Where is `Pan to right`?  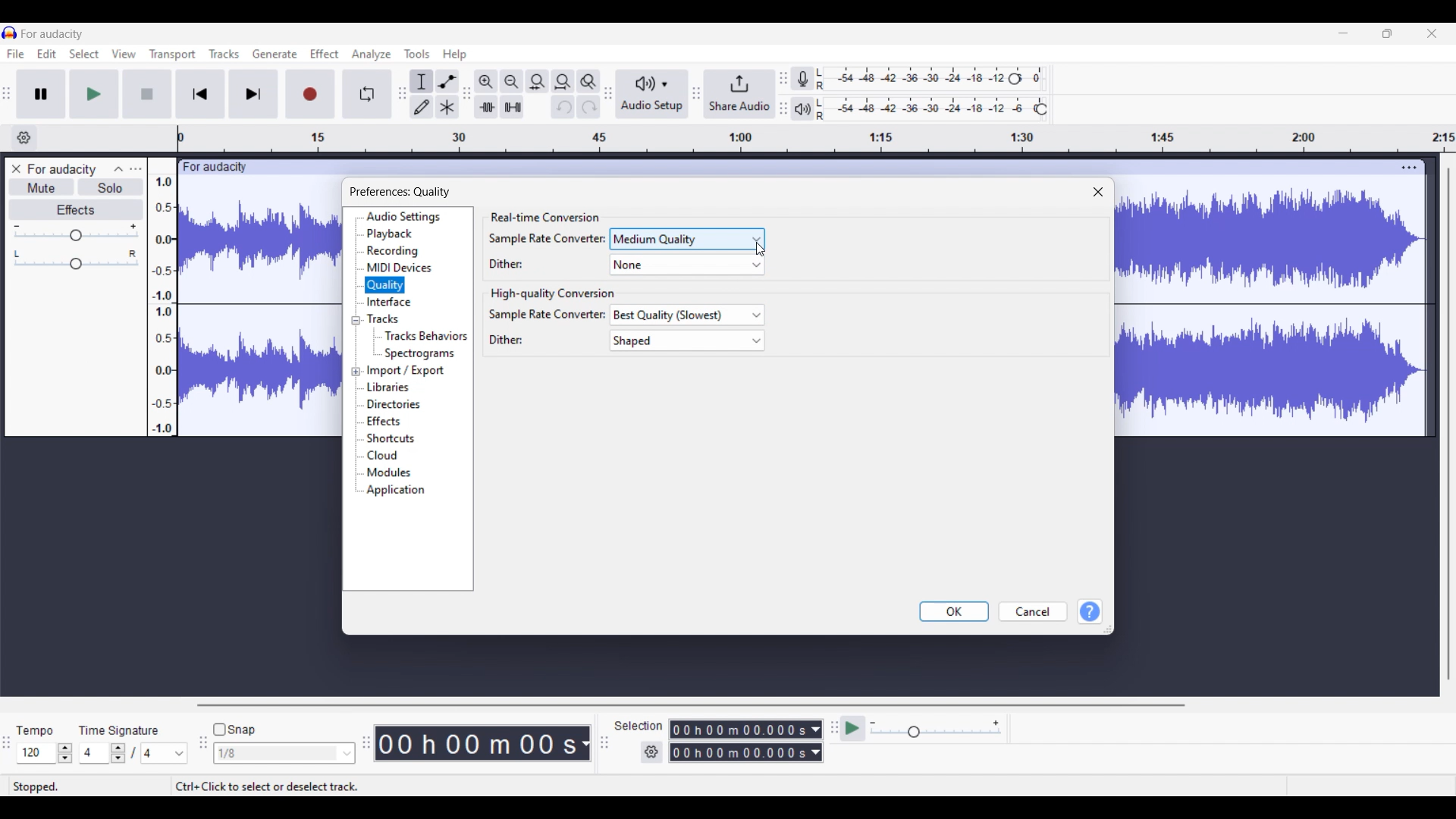 Pan to right is located at coordinates (133, 253).